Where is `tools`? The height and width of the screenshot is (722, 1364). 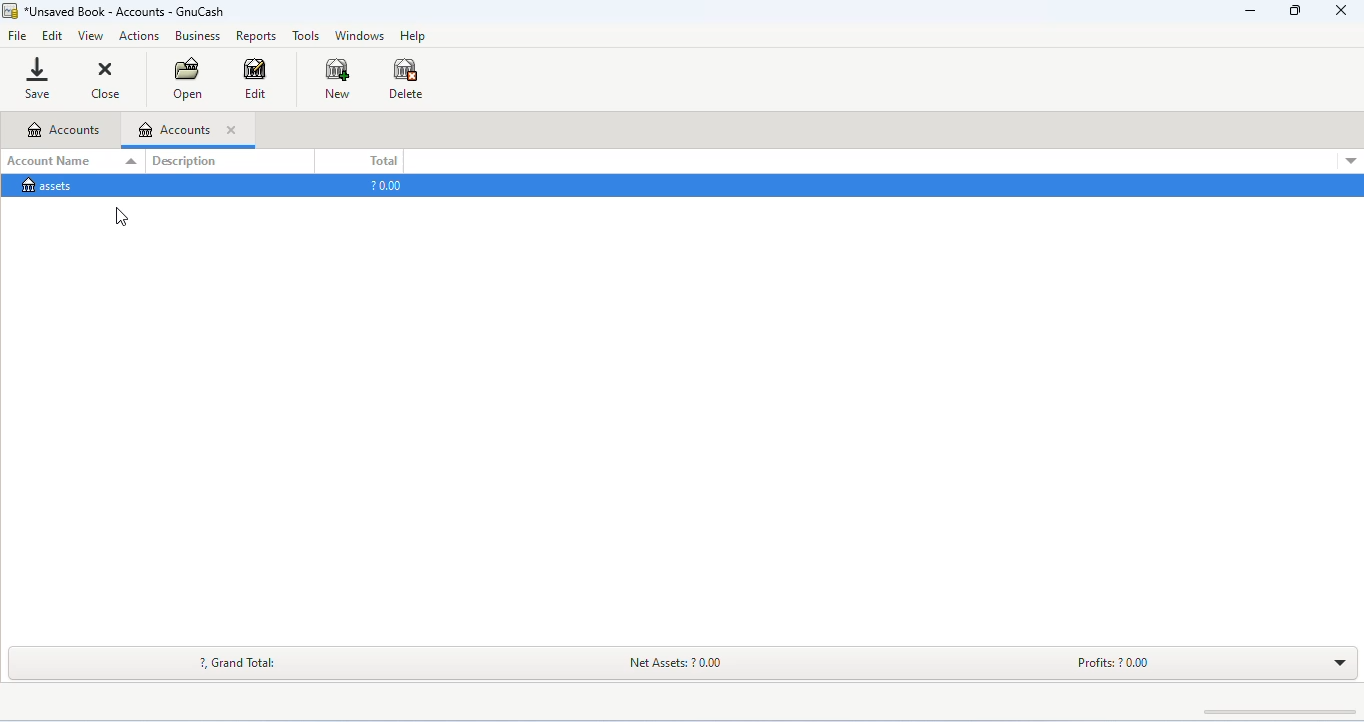
tools is located at coordinates (306, 38).